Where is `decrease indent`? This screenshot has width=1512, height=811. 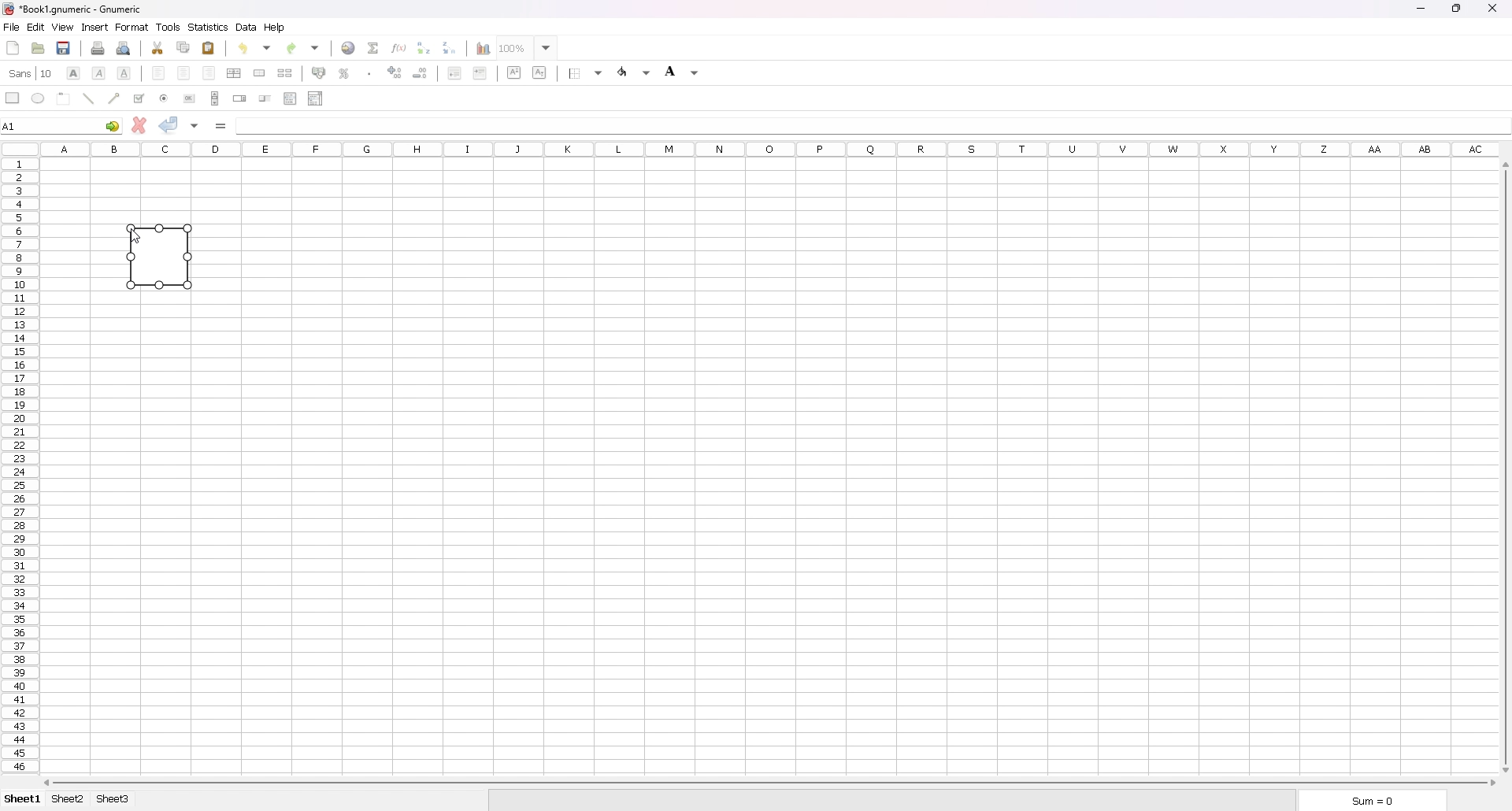 decrease indent is located at coordinates (454, 73).